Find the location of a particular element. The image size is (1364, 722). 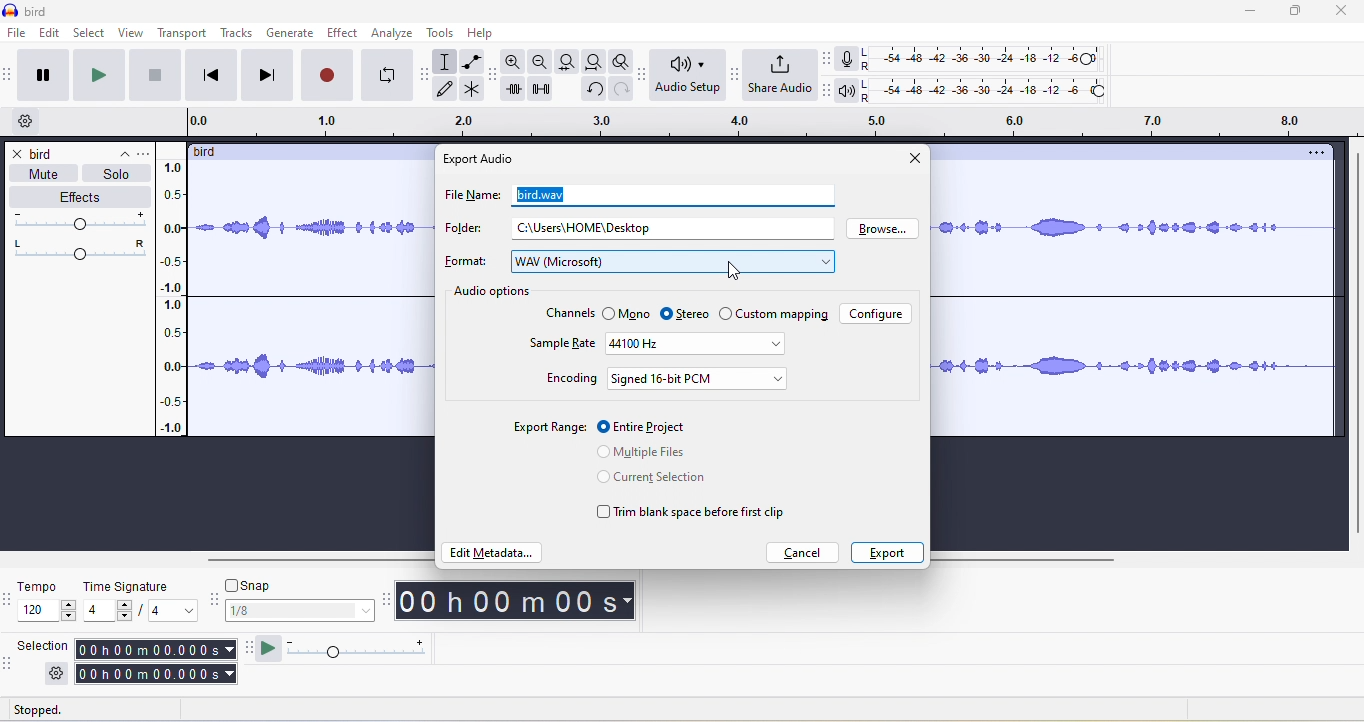

audacity edit toolbar is located at coordinates (495, 78).